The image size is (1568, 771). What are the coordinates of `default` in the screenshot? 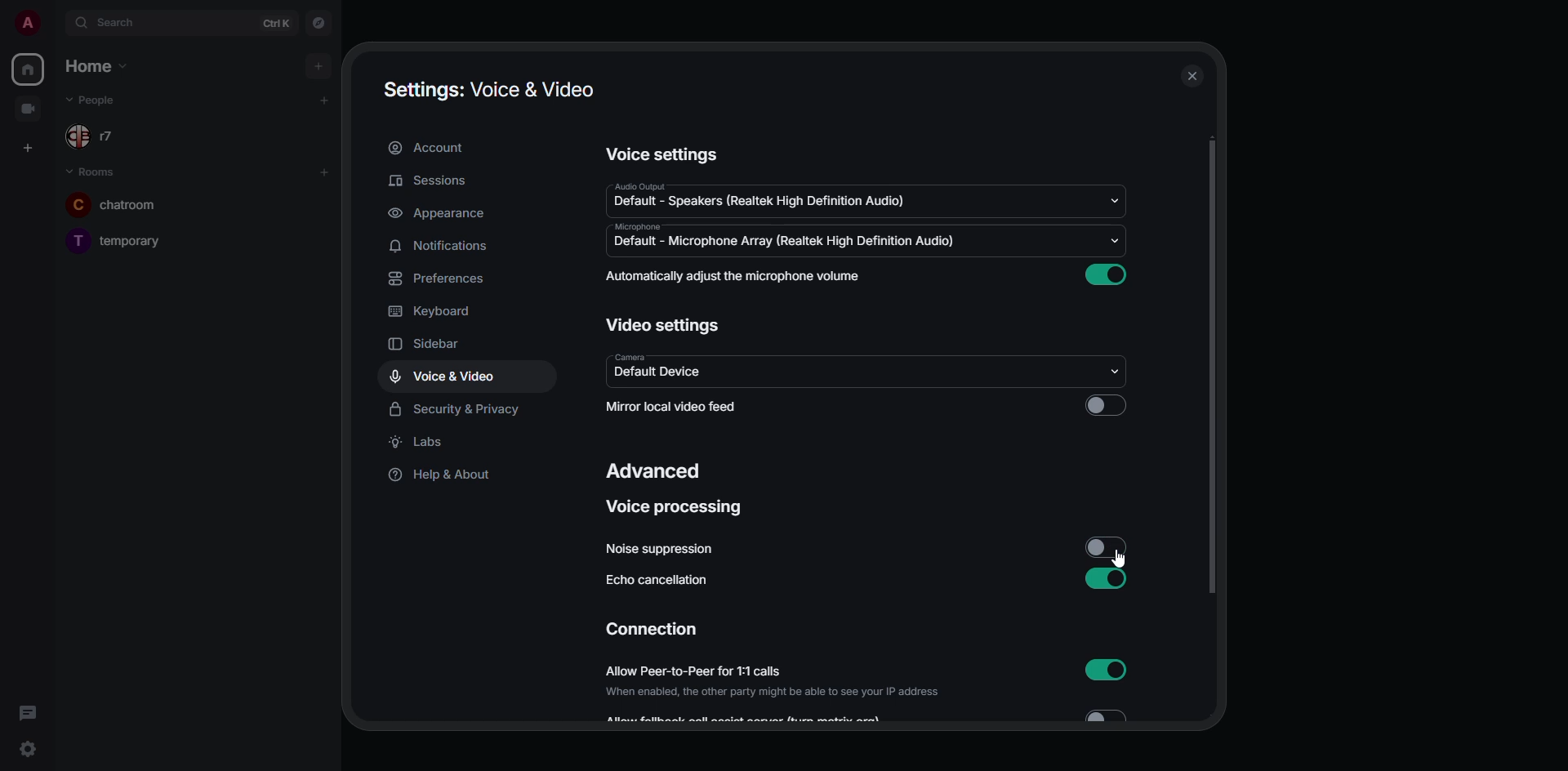 It's located at (759, 199).